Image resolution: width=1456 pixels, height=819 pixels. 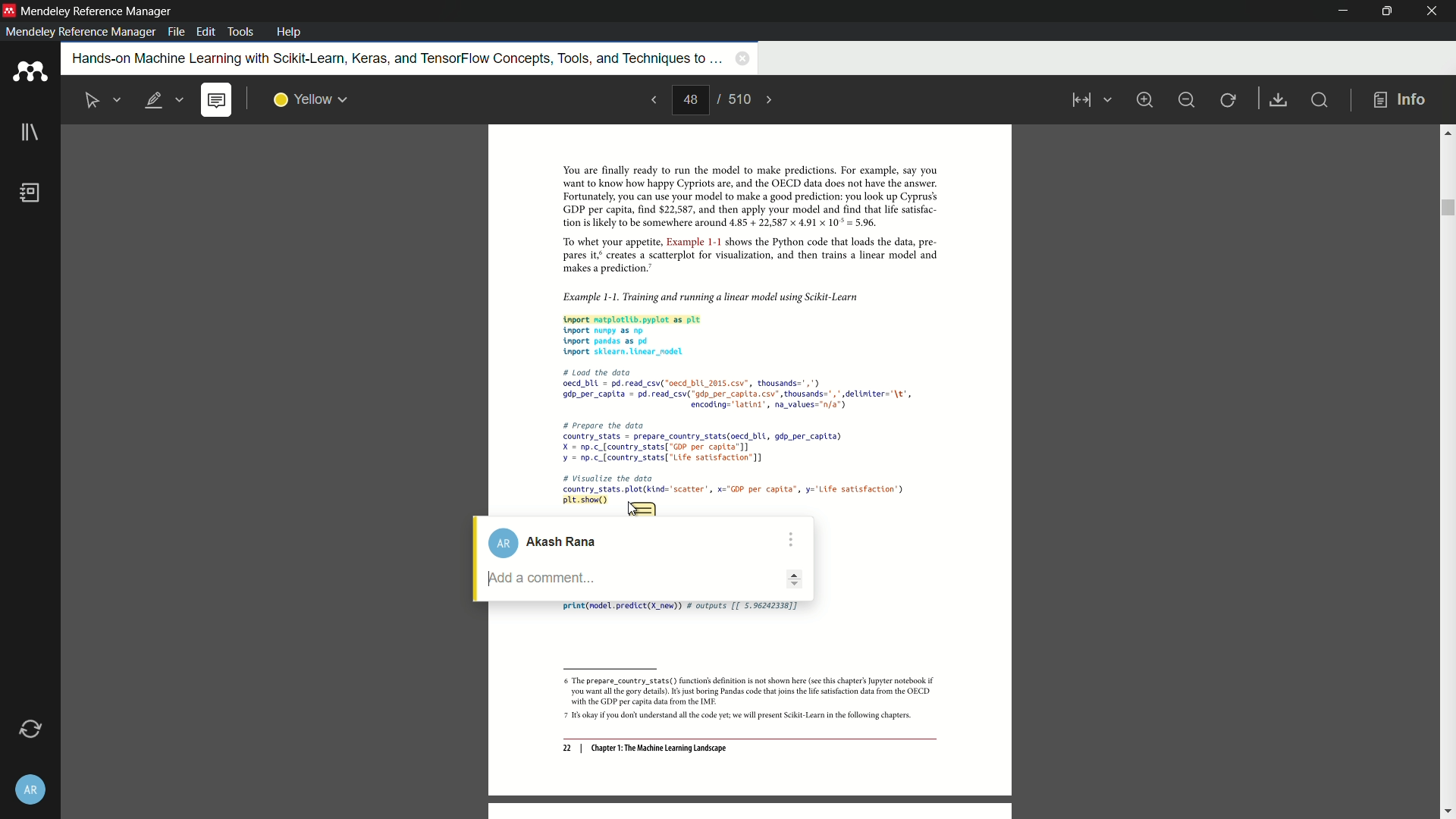 I want to click on current page, so click(x=690, y=100).